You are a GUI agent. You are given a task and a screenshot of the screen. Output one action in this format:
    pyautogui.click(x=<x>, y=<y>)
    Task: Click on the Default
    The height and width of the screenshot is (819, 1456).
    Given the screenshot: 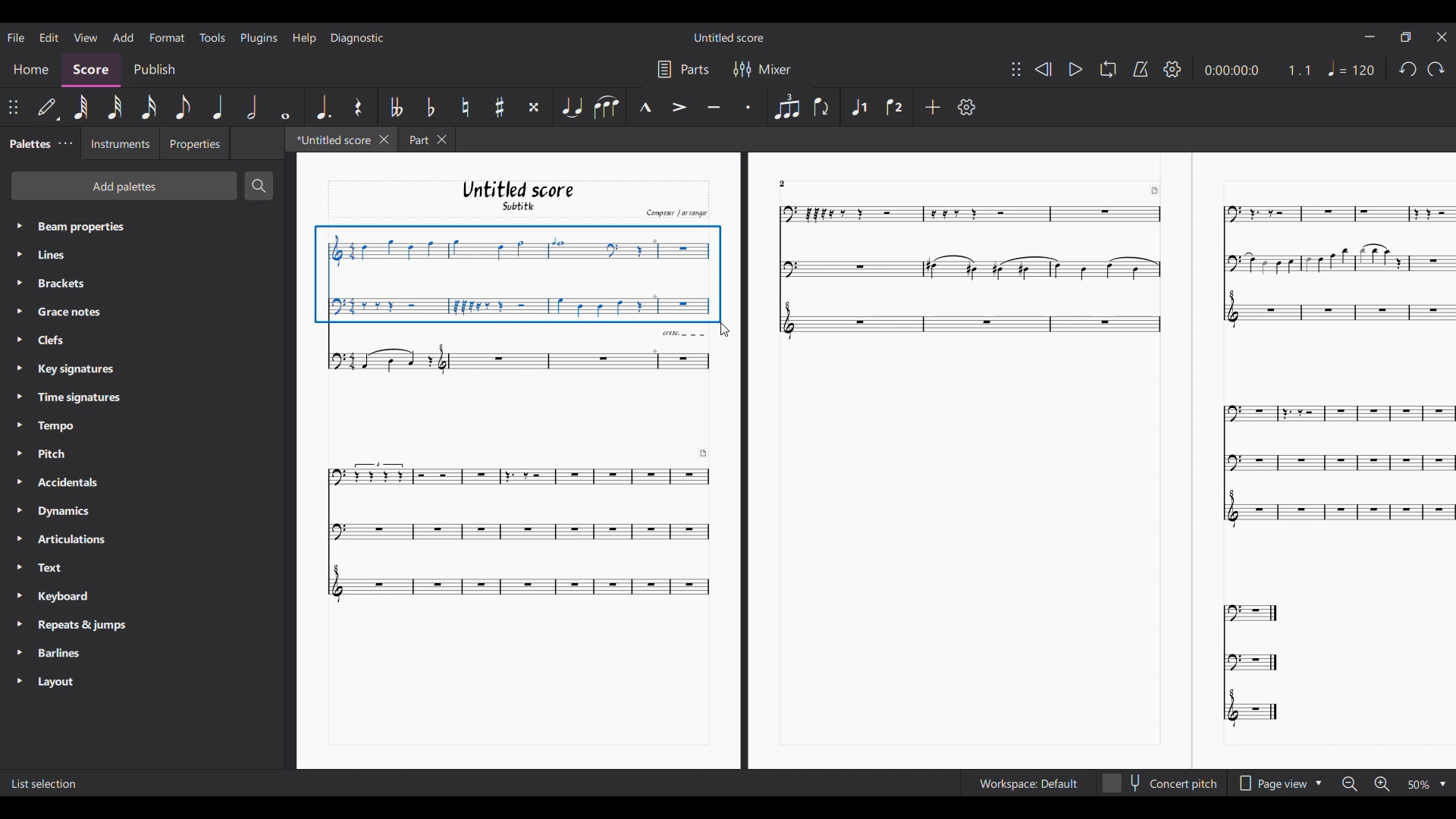 What is the action you would take?
    pyautogui.click(x=48, y=109)
    